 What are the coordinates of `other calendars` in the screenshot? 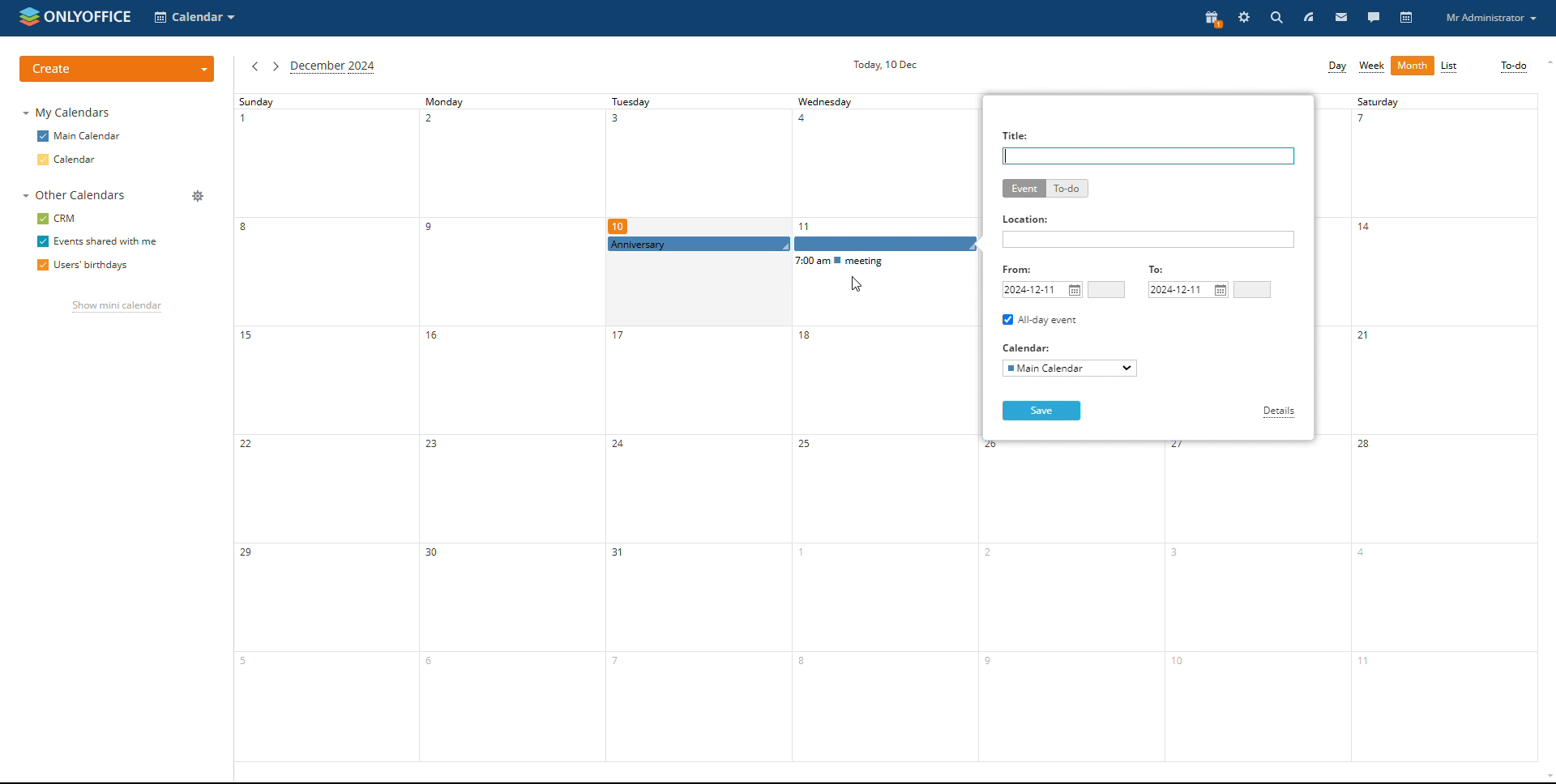 It's located at (74, 195).